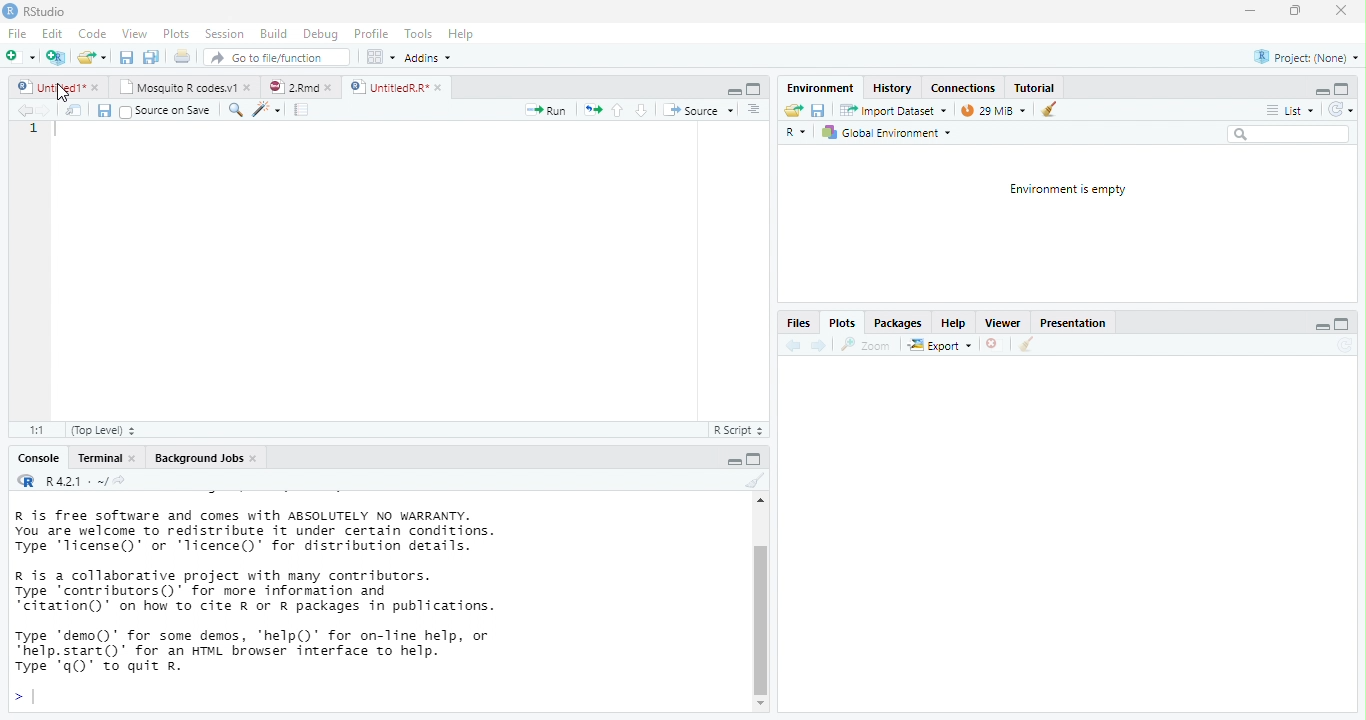  I want to click on back, so click(24, 110).